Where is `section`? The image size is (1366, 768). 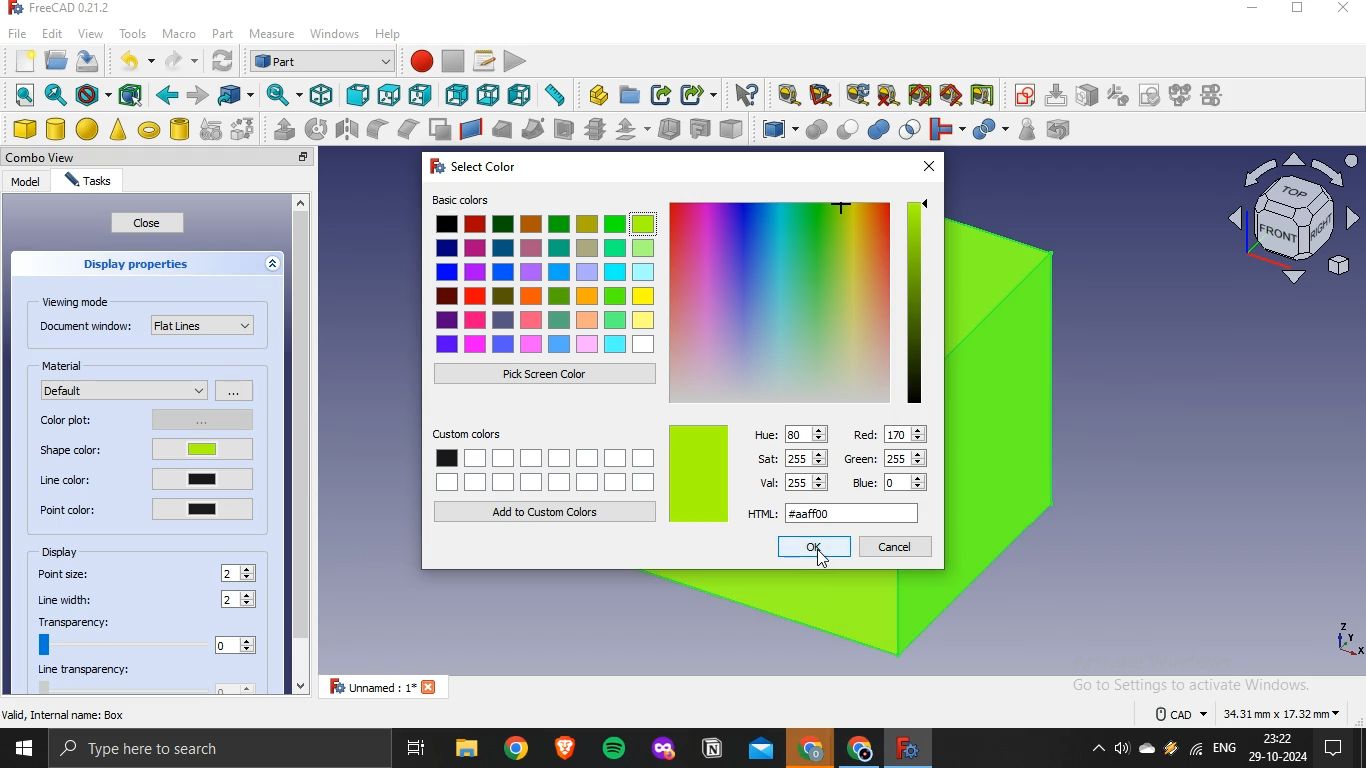
section is located at coordinates (563, 129).